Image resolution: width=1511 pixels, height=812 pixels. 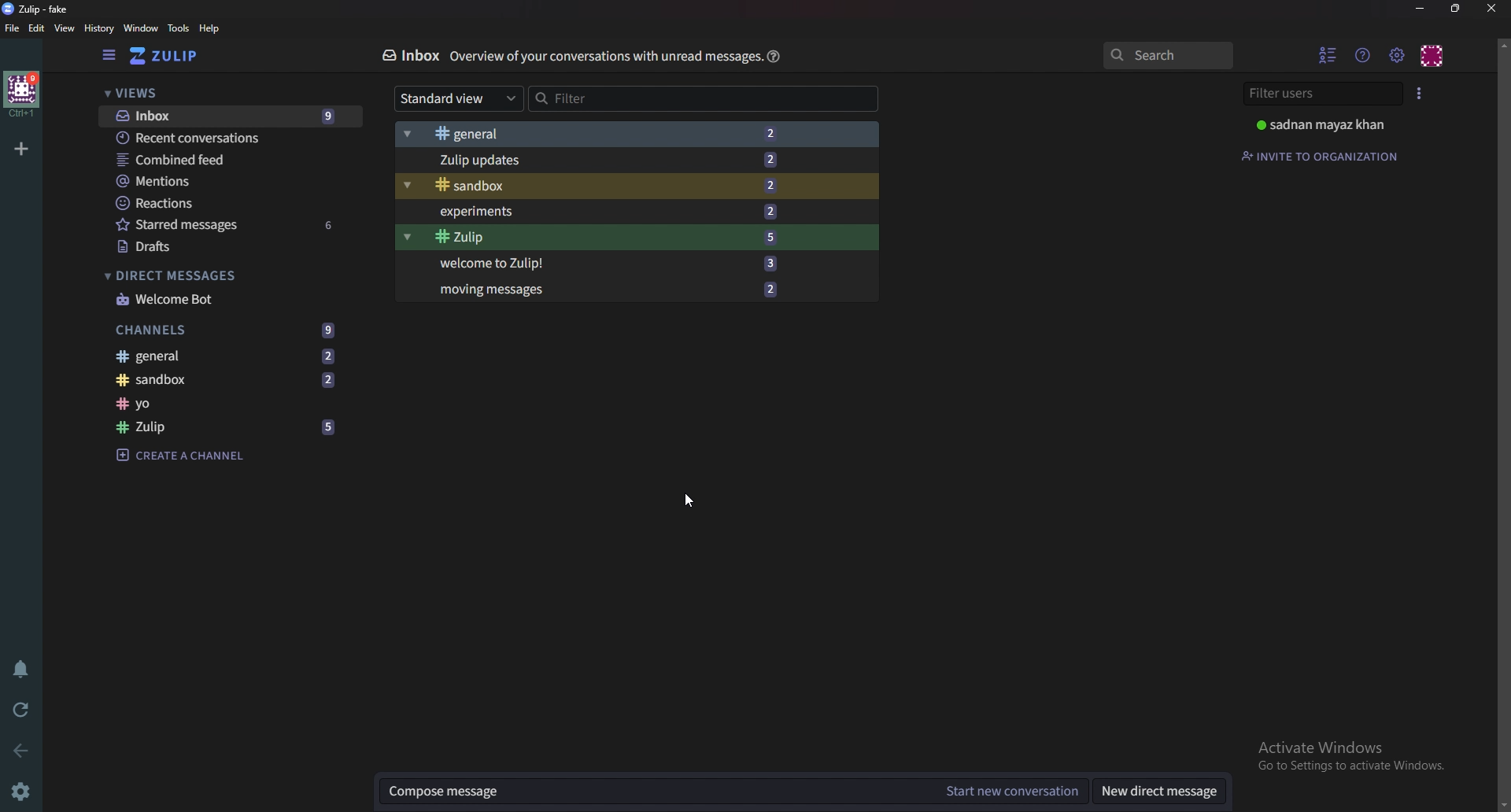 What do you see at coordinates (227, 330) in the screenshot?
I see `Channels` at bounding box center [227, 330].